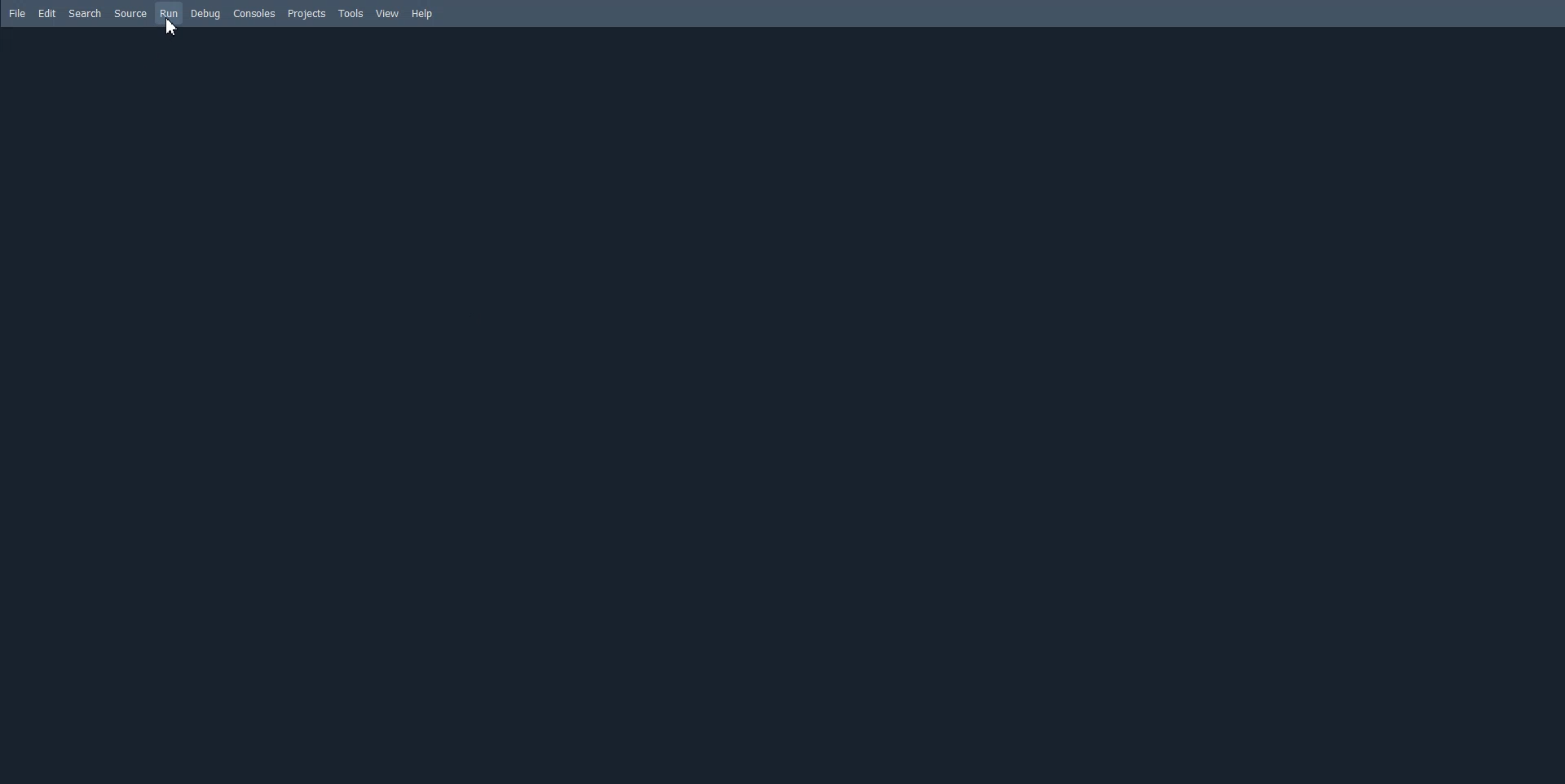 The height and width of the screenshot is (784, 1565). I want to click on Help, so click(422, 13).